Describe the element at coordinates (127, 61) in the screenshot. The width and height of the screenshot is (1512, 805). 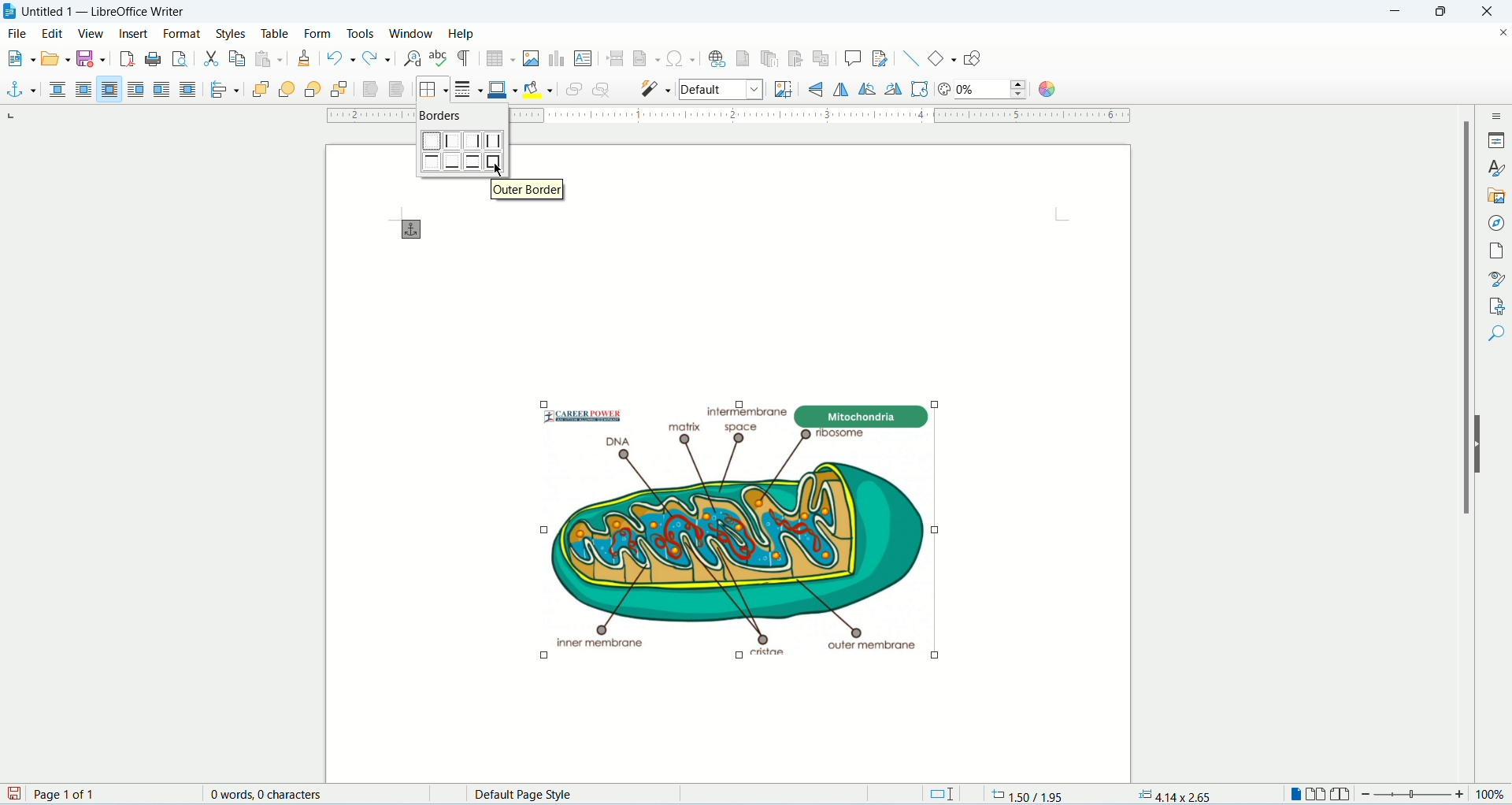
I see `export as pdf` at that location.